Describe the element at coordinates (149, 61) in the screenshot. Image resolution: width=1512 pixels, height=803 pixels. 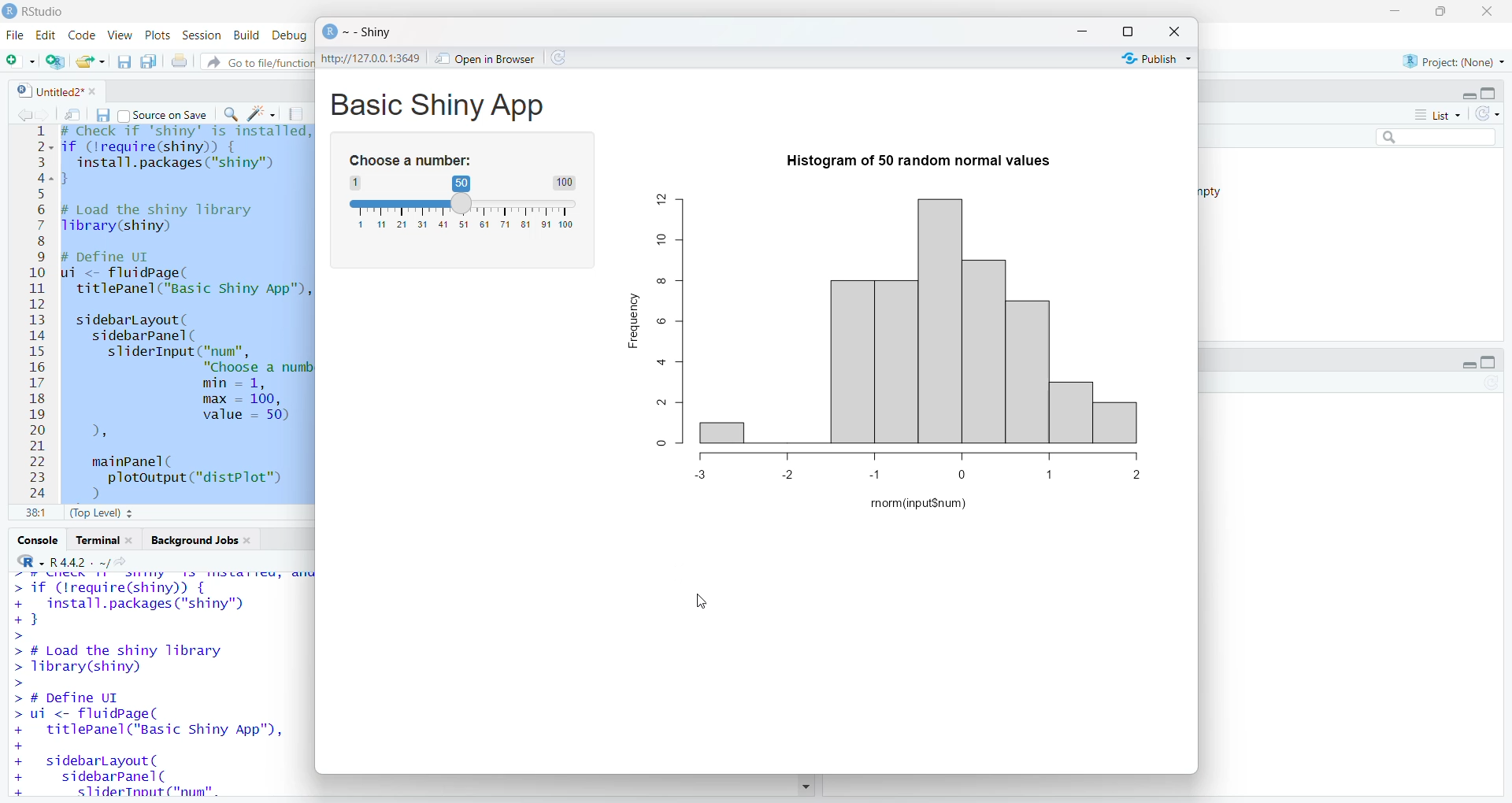
I see `save all` at that location.